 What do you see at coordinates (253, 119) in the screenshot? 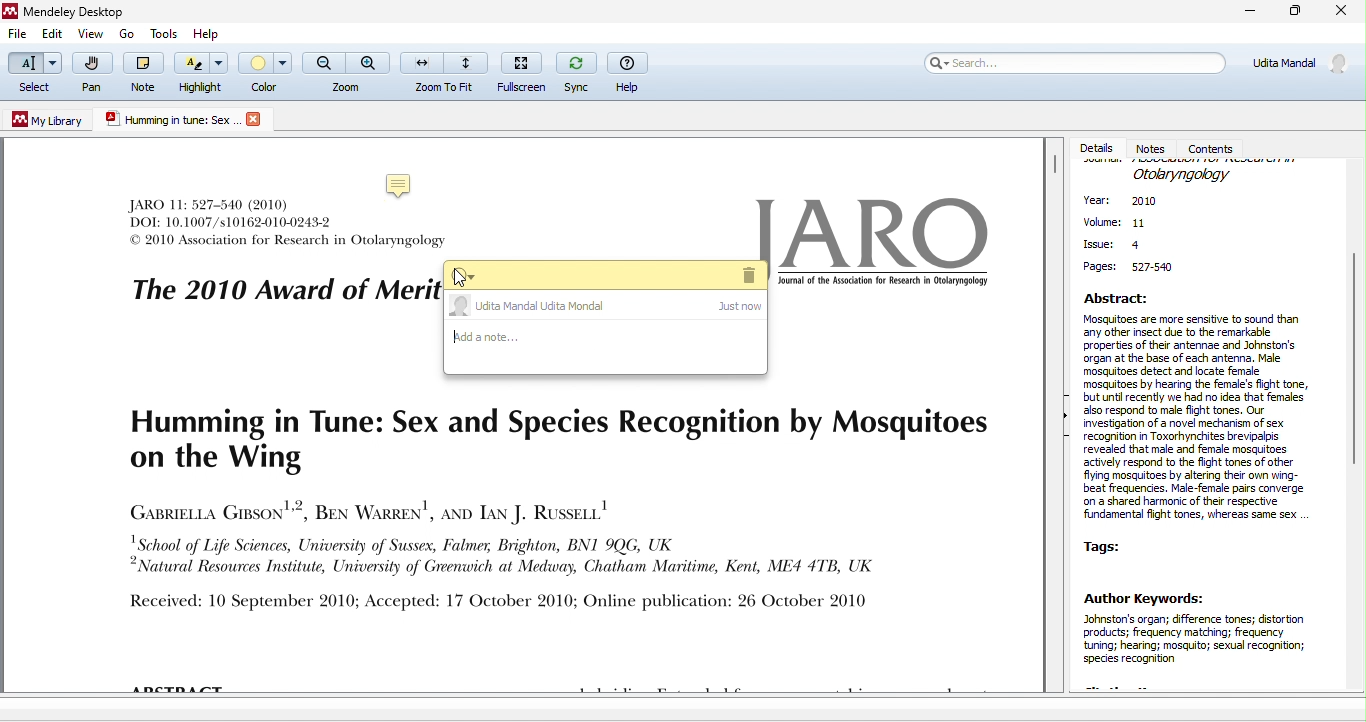
I see `logo` at bounding box center [253, 119].